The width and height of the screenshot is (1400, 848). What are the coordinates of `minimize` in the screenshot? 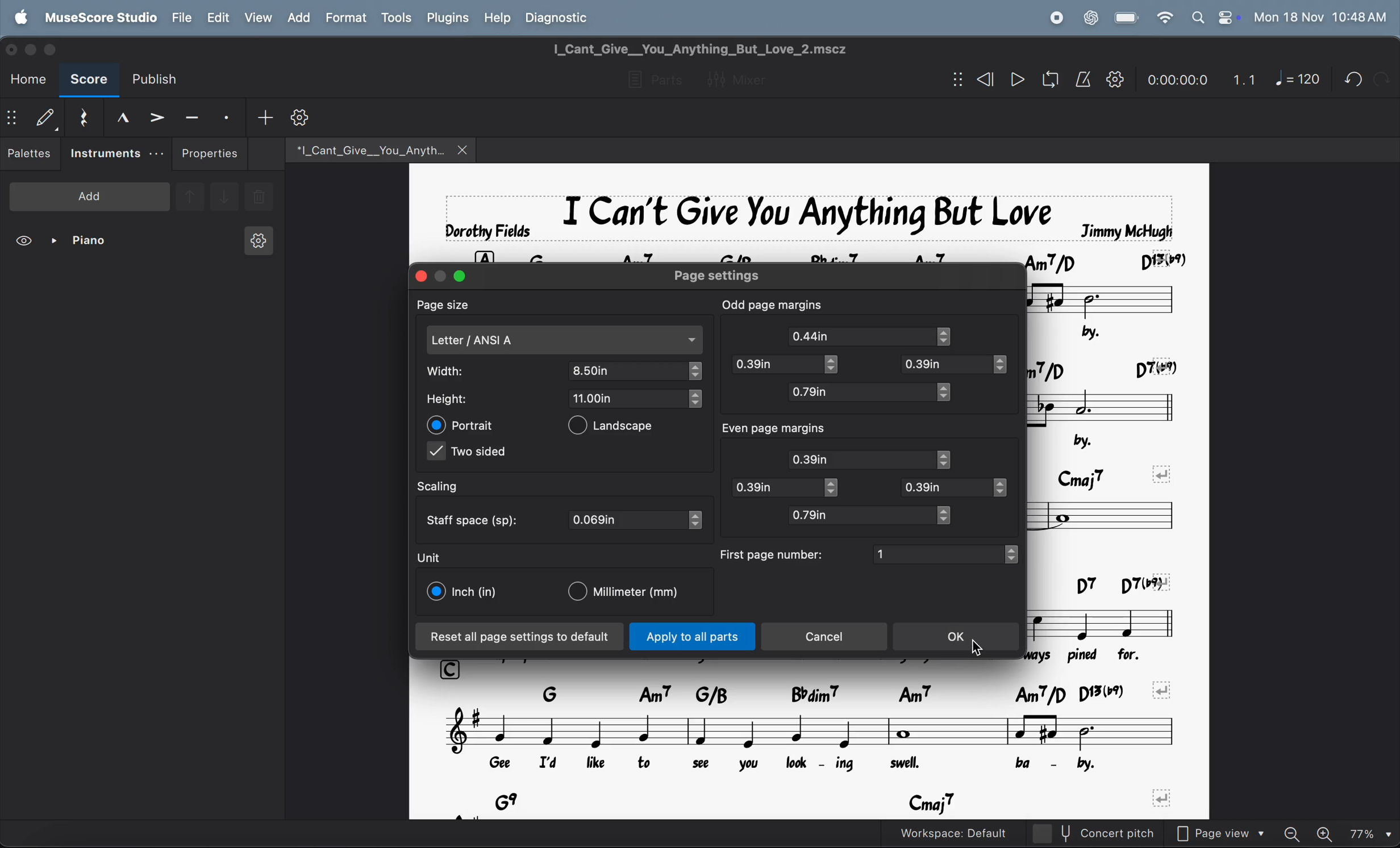 It's located at (441, 273).